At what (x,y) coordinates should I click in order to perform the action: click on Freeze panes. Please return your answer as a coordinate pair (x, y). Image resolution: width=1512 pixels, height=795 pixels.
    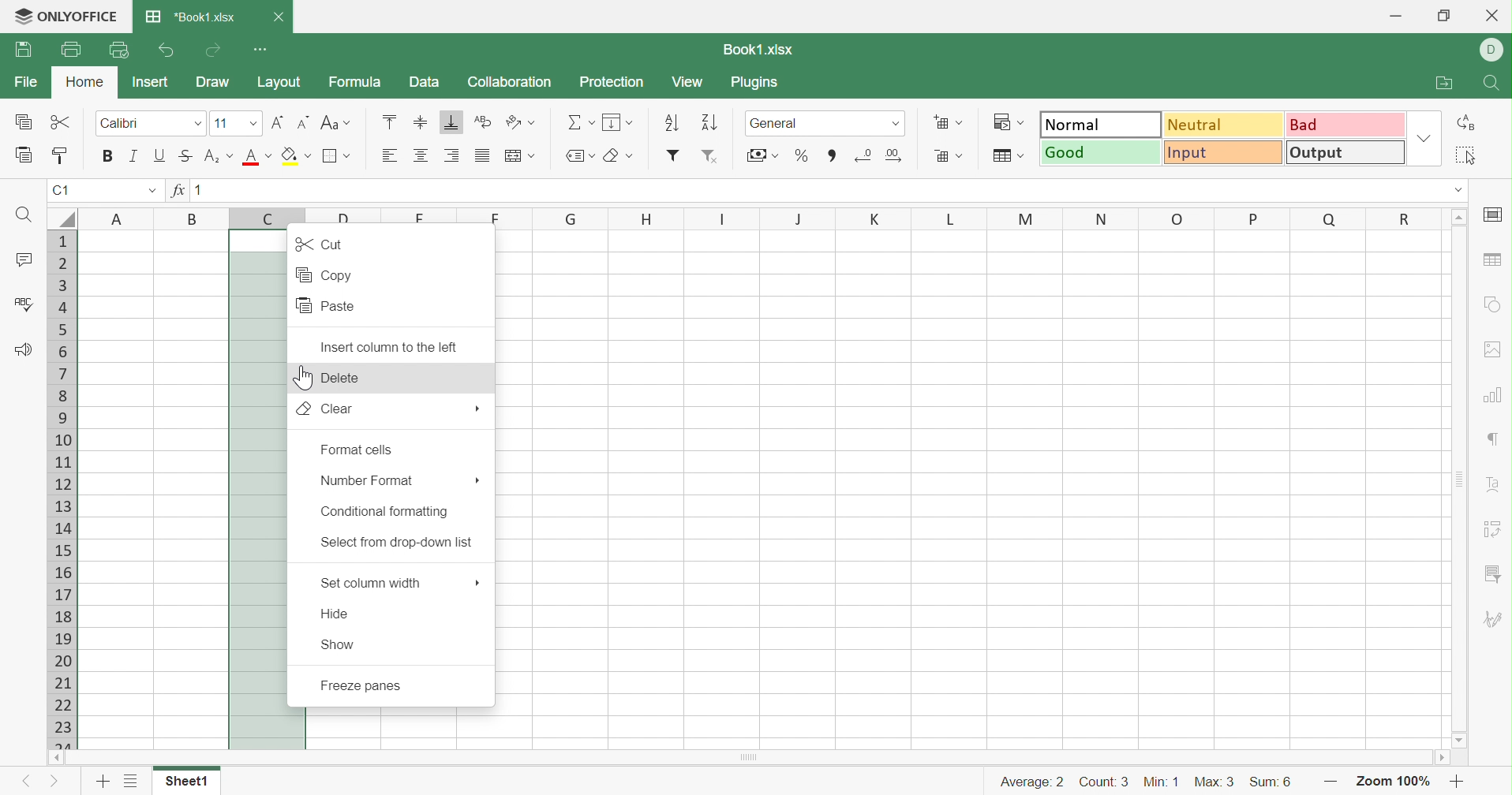
    Looking at the image, I should click on (365, 686).